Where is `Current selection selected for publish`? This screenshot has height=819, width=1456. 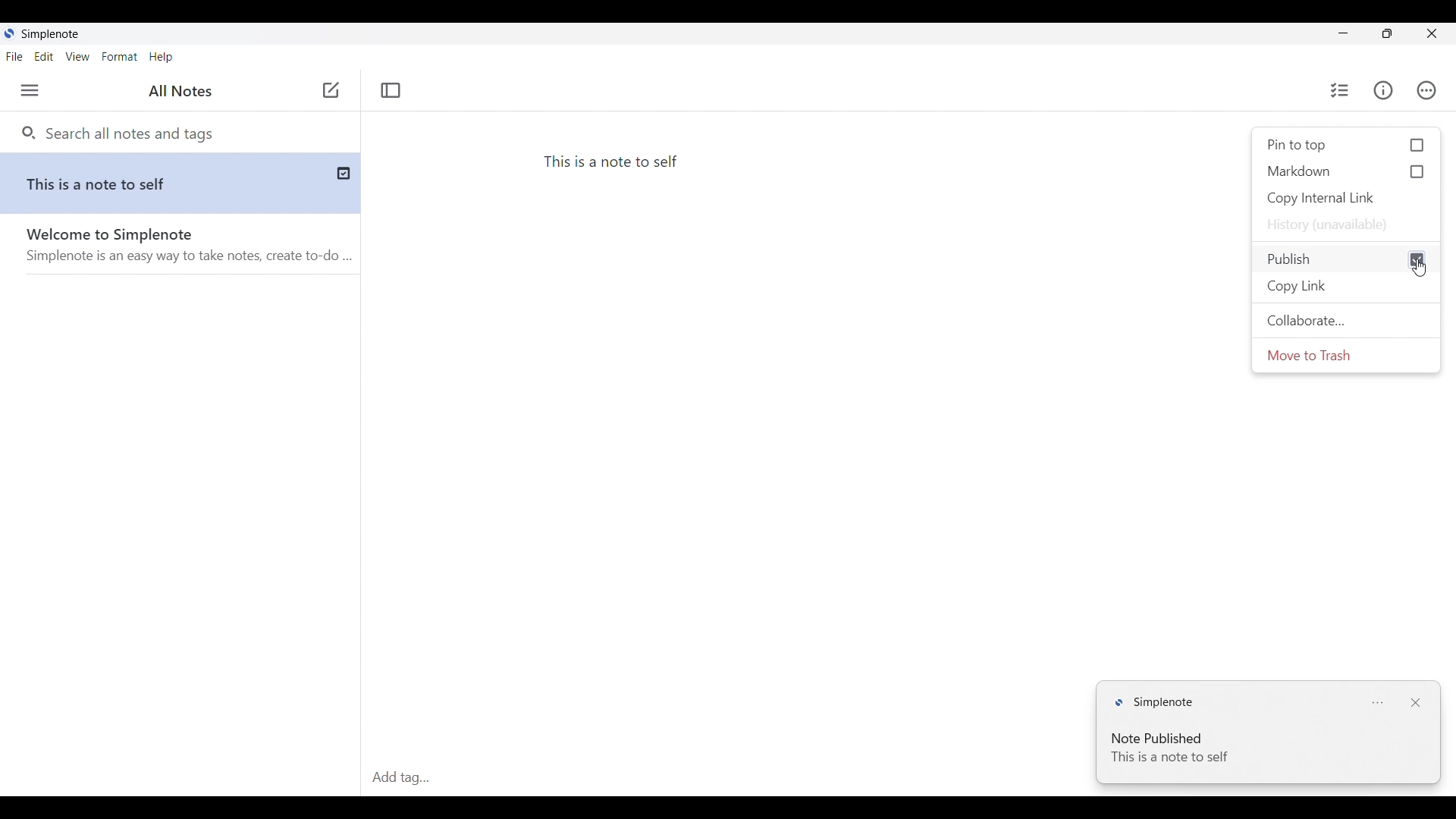
Current selection selected for publish is located at coordinates (1417, 260).